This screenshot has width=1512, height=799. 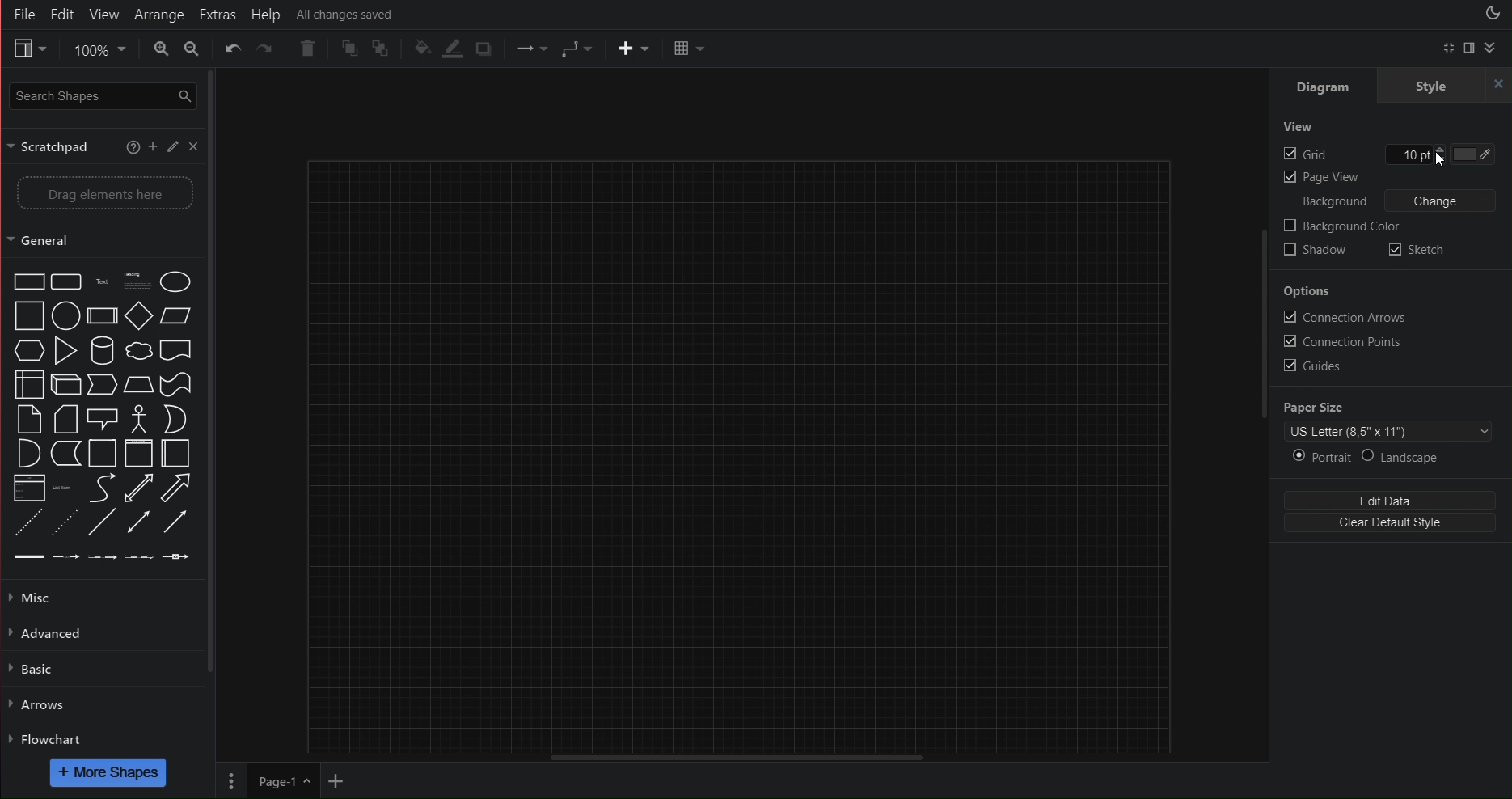 I want to click on free form, so click(x=94, y=486).